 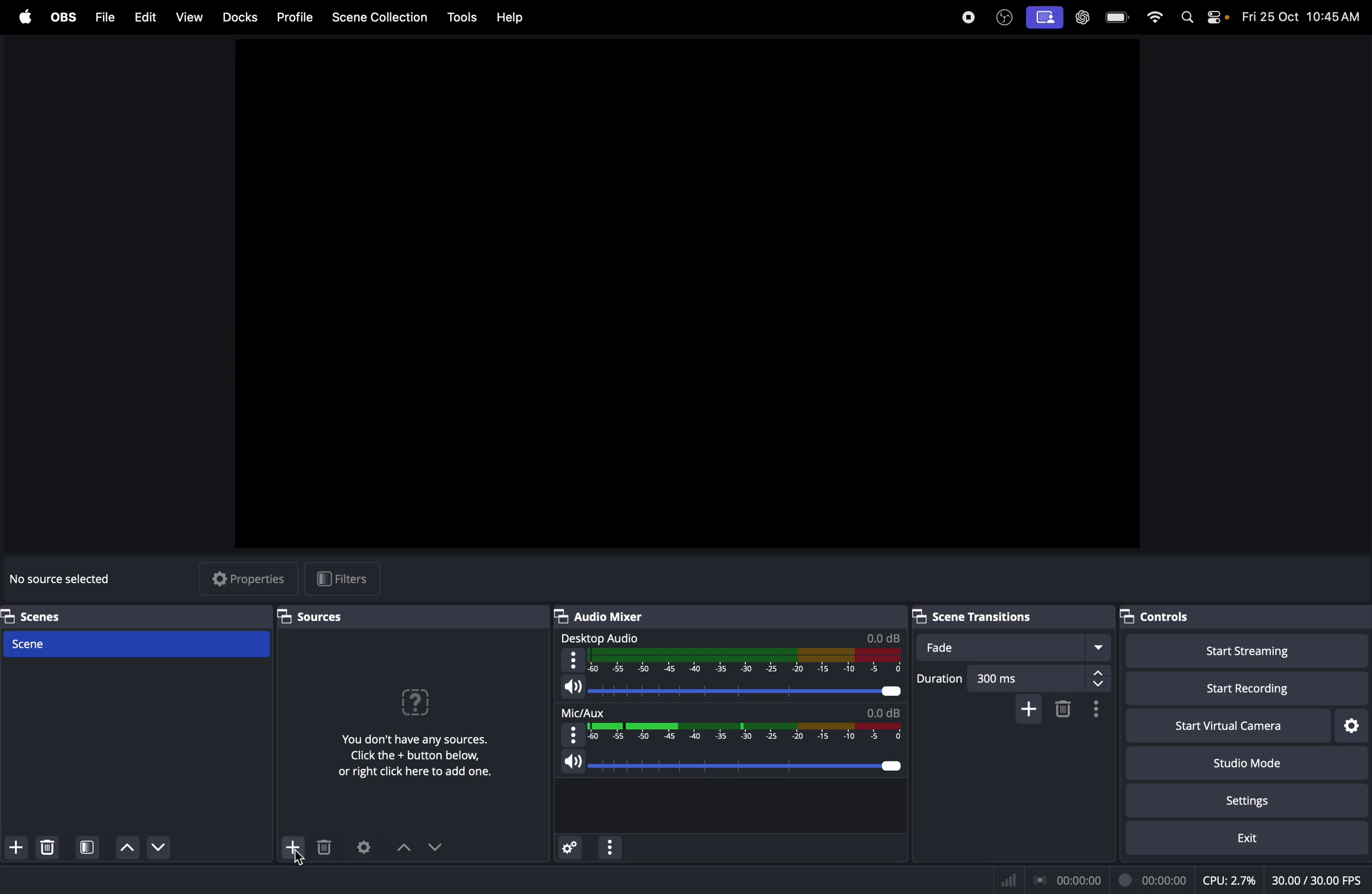 What do you see at coordinates (237, 17) in the screenshot?
I see `Docks` at bounding box center [237, 17].